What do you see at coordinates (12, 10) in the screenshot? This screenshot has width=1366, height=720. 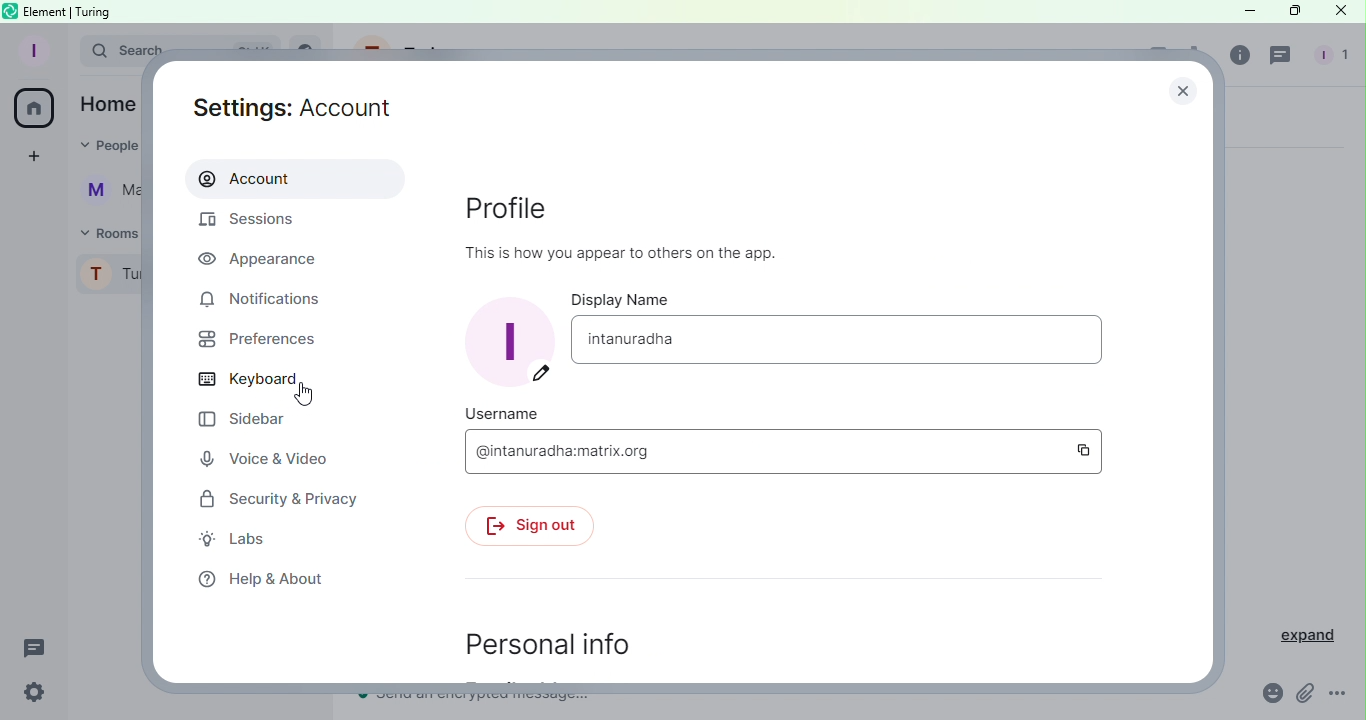 I see `Element icon` at bounding box center [12, 10].